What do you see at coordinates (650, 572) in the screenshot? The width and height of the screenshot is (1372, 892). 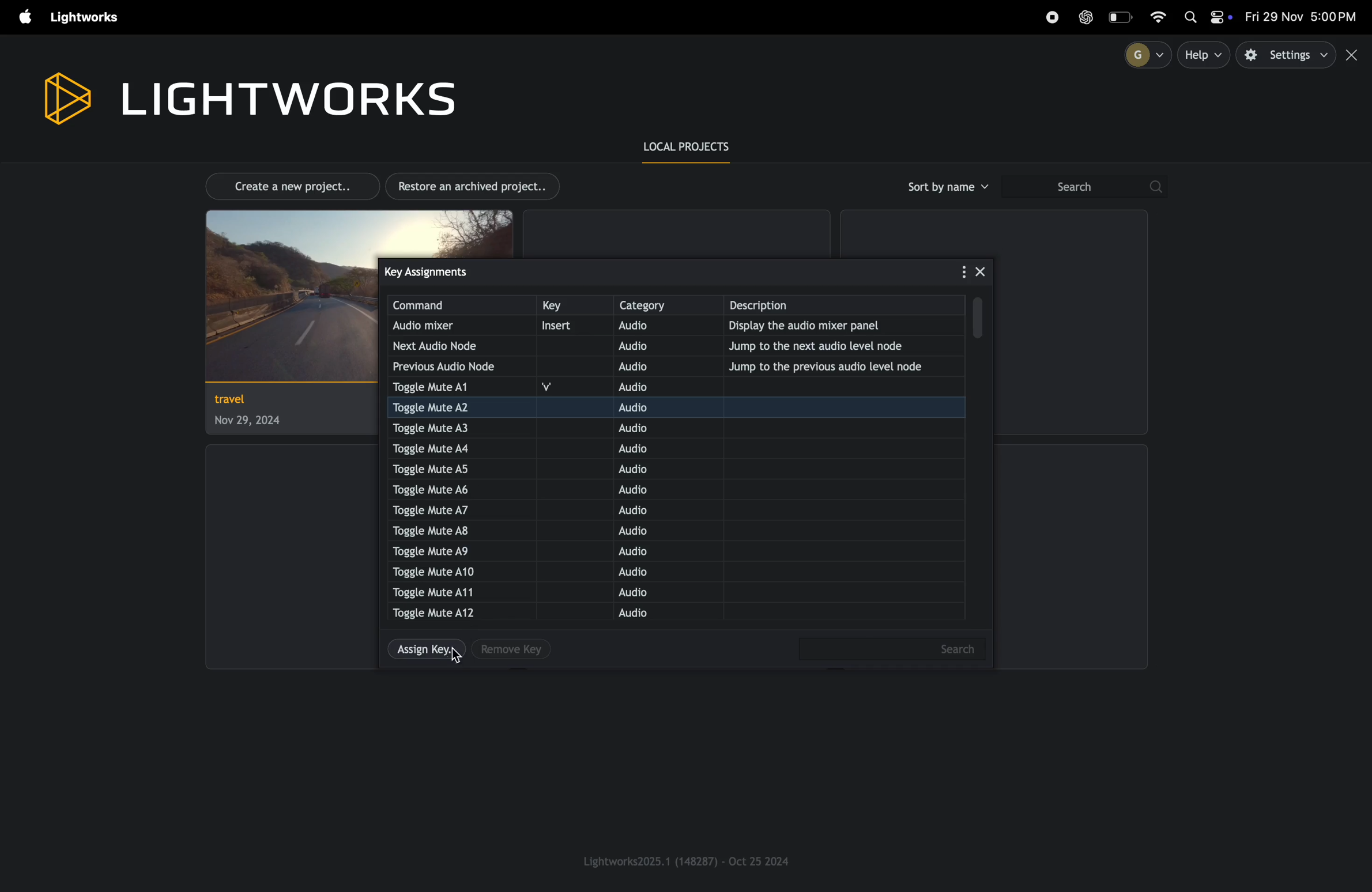 I see `audio` at bounding box center [650, 572].